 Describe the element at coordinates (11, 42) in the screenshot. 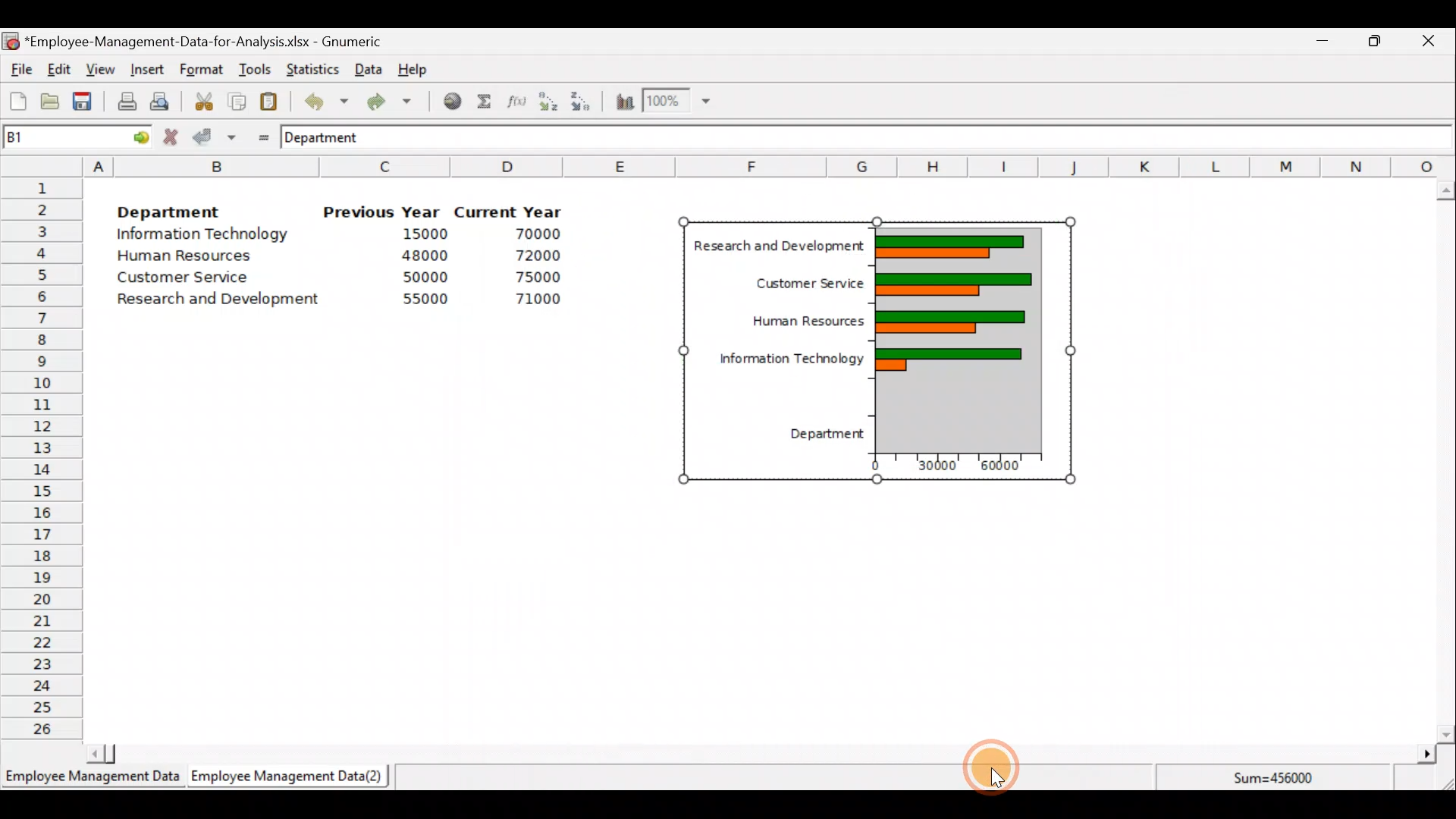

I see `Gnumeric logo` at that location.